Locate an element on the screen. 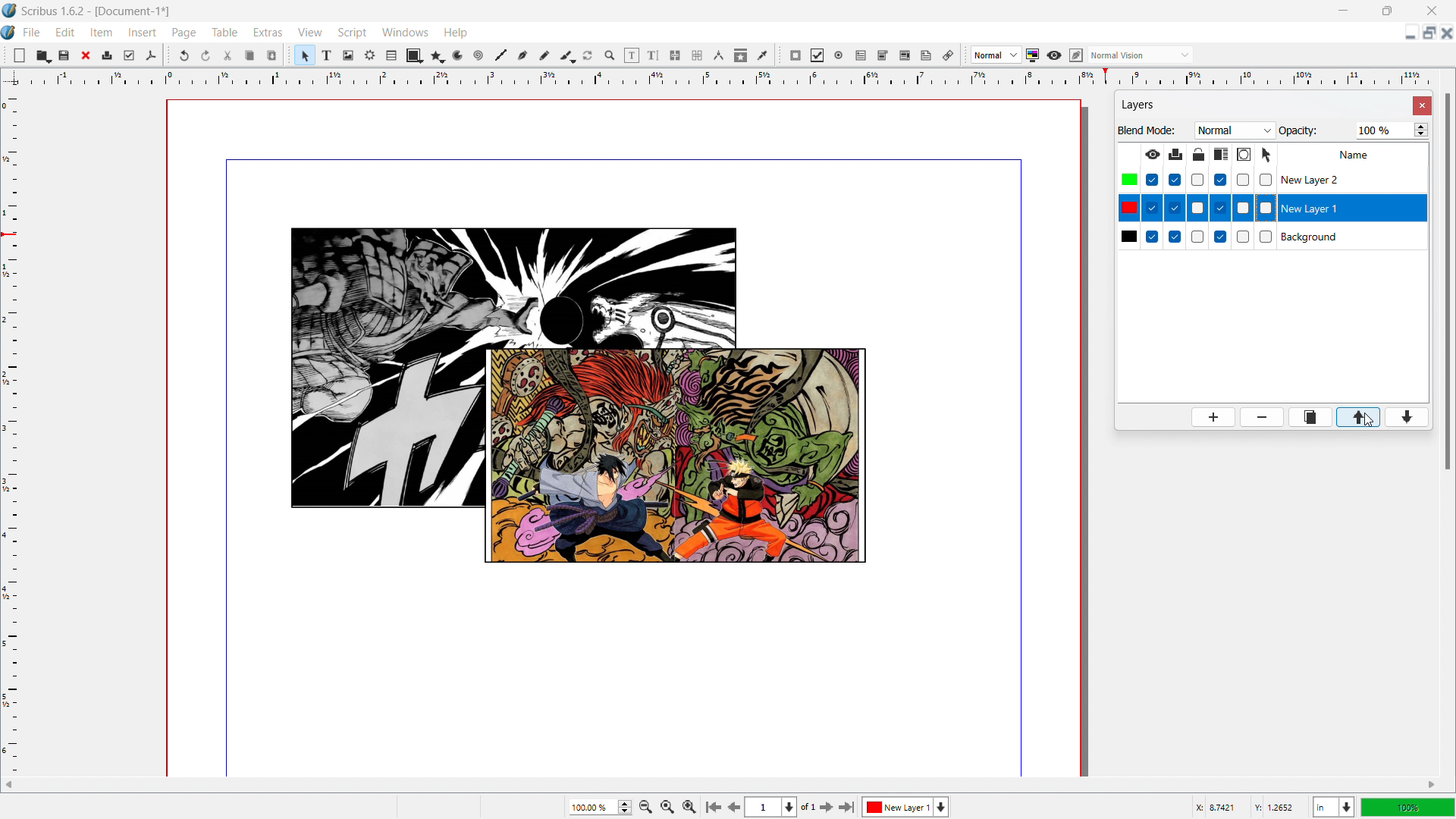  logo is located at coordinates (9, 11).